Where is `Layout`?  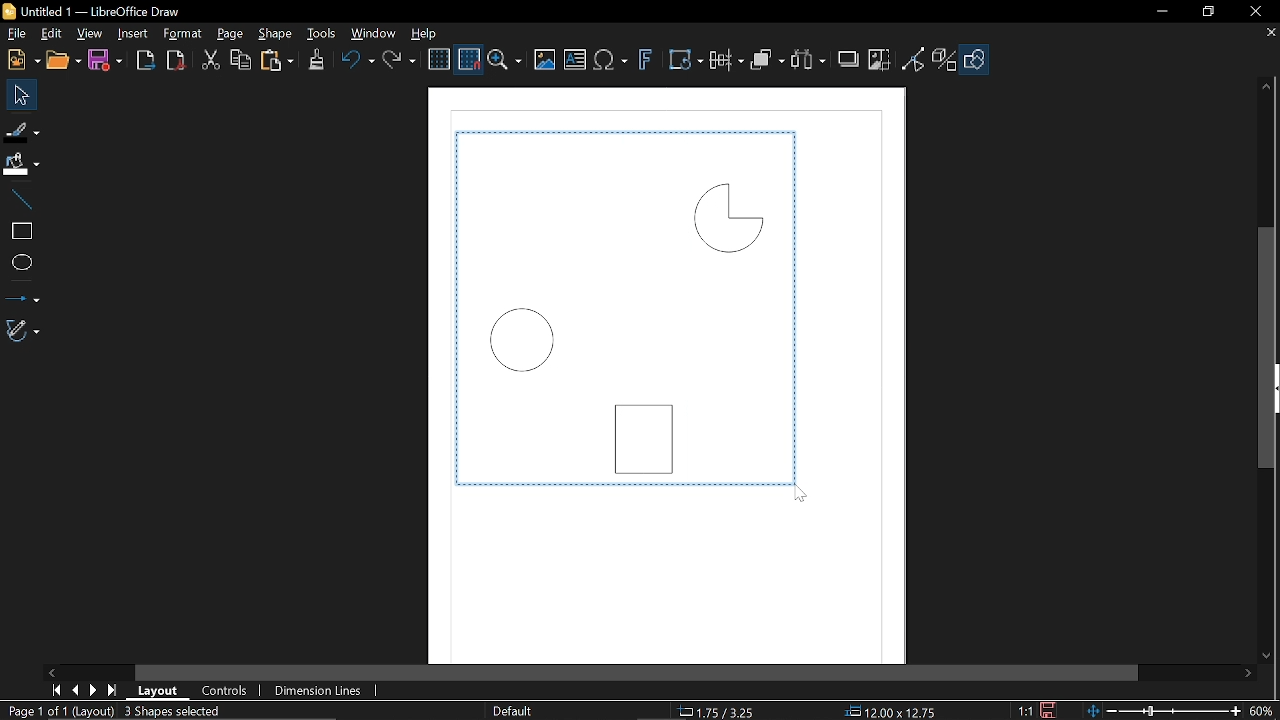 Layout is located at coordinates (158, 691).